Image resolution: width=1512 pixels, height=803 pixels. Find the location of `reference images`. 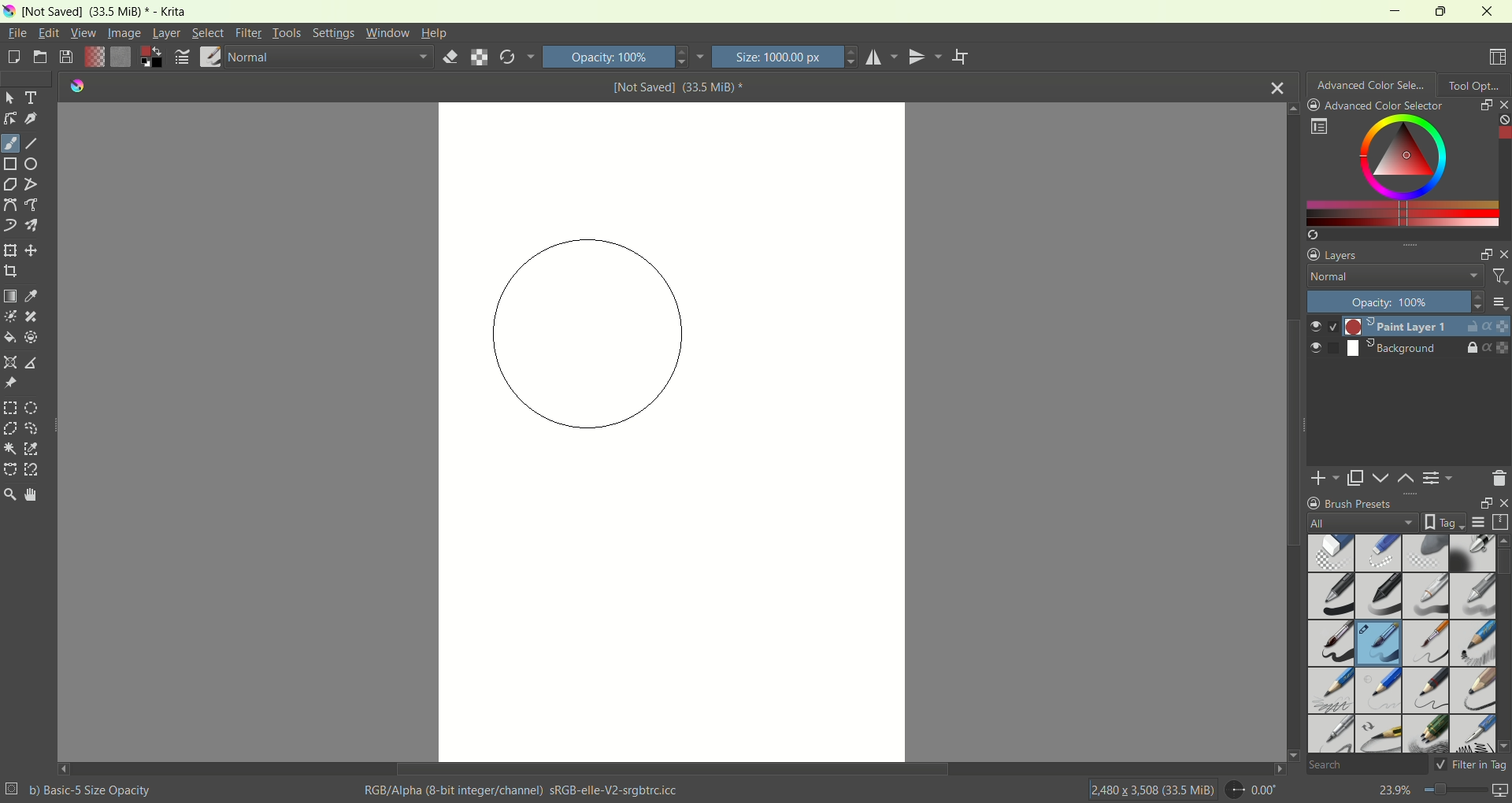

reference images is located at coordinates (9, 383).